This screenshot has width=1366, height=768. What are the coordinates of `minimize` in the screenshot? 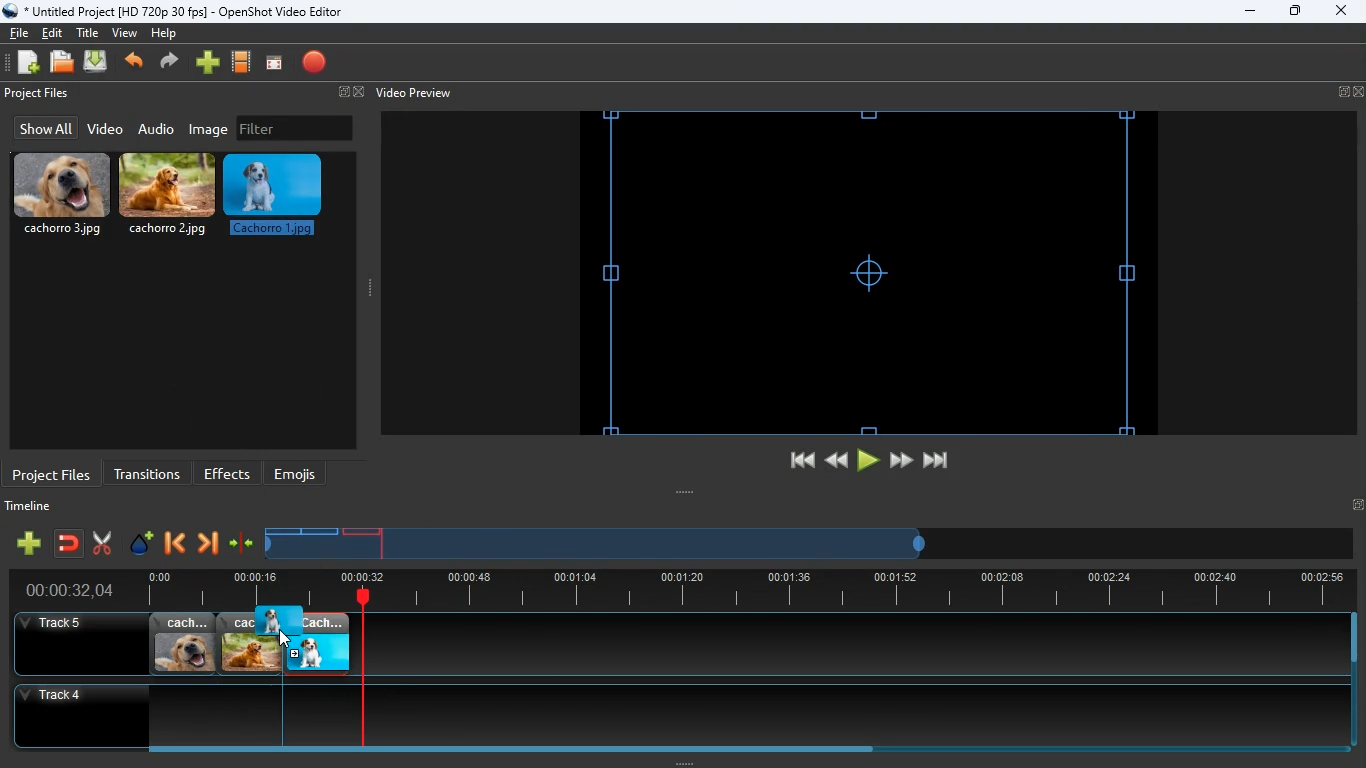 It's located at (1250, 12).